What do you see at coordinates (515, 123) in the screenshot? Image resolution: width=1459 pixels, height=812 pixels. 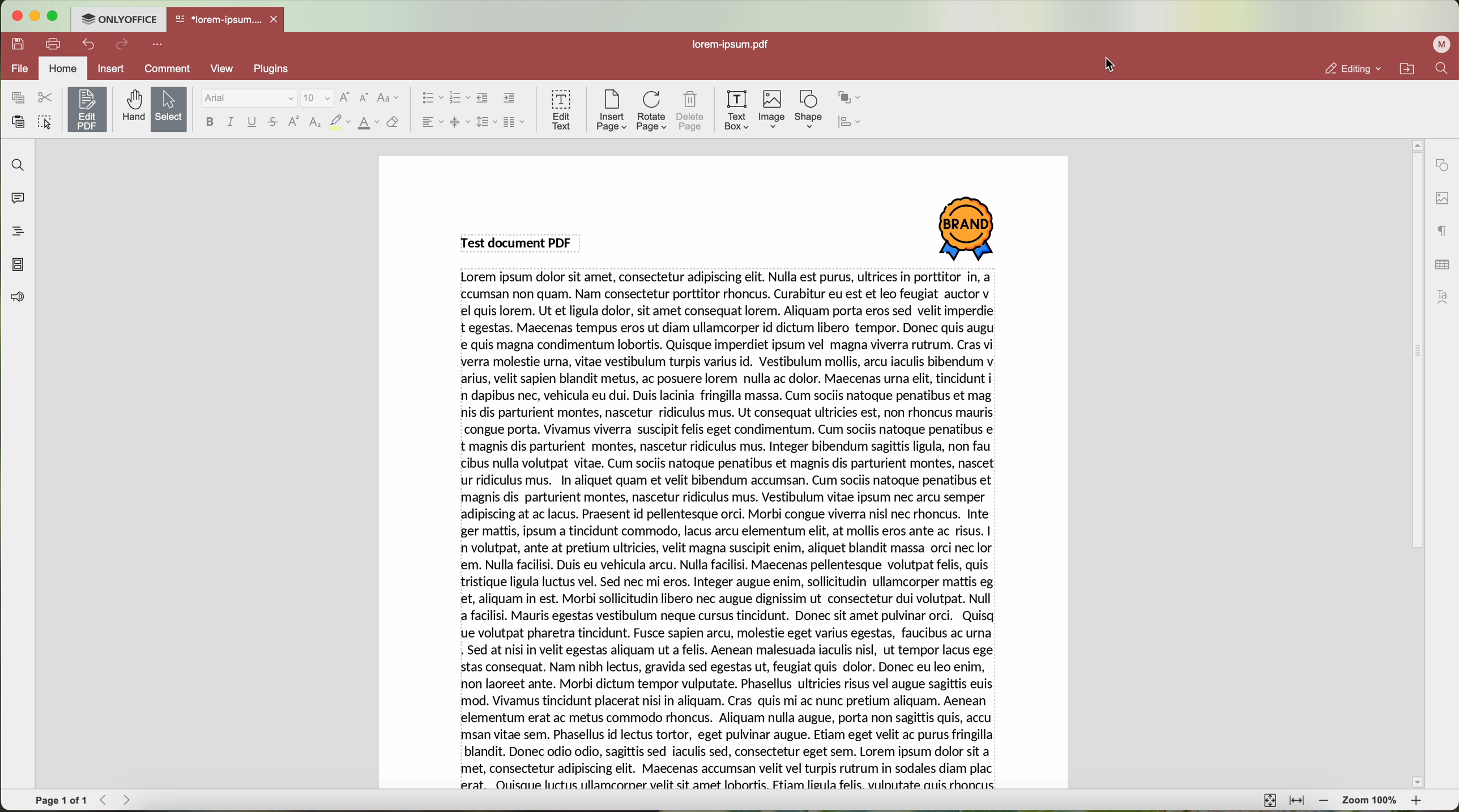 I see `insert columns` at bounding box center [515, 123].